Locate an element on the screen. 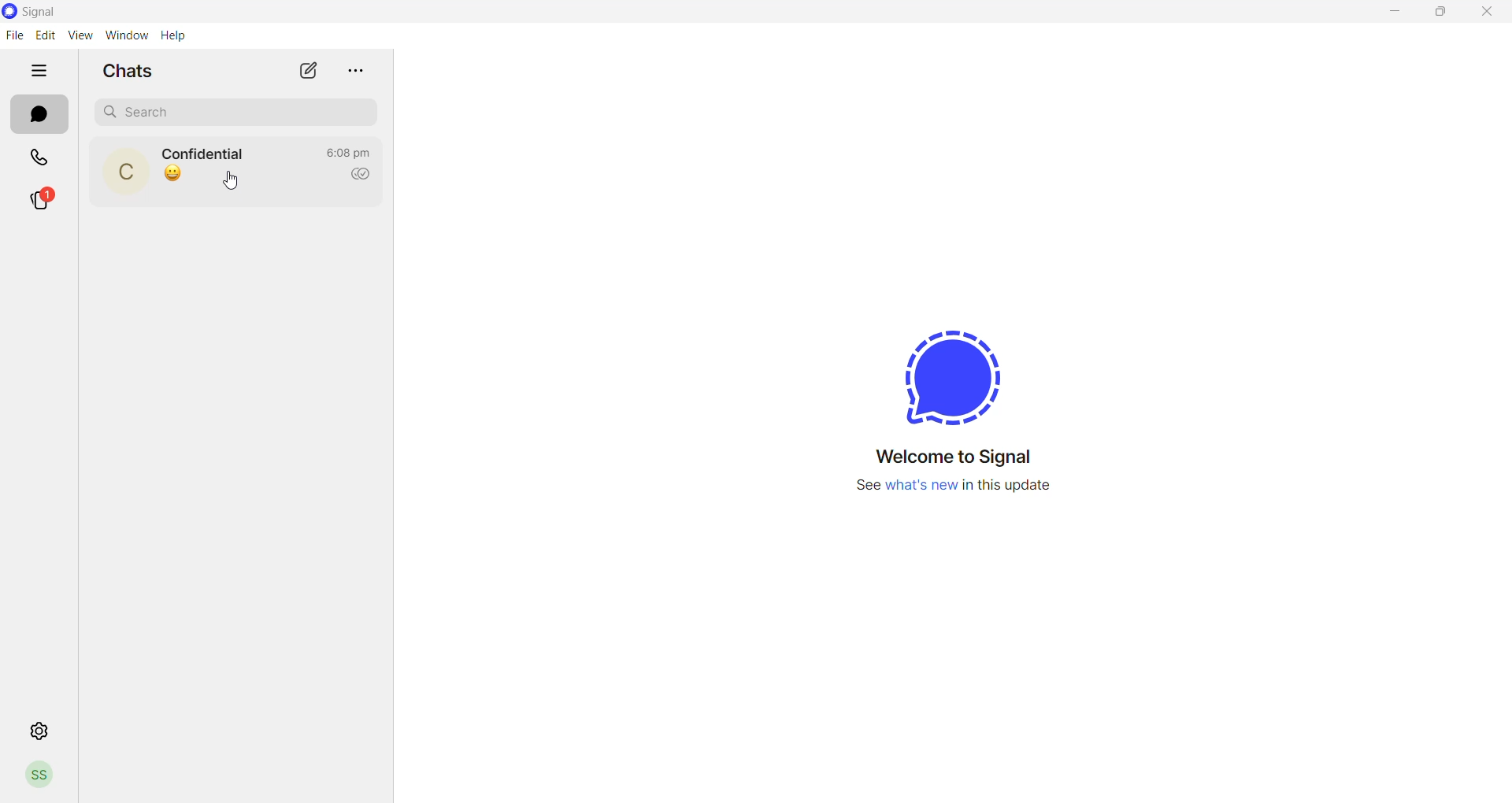  new chat is located at coordinates (311, 69).